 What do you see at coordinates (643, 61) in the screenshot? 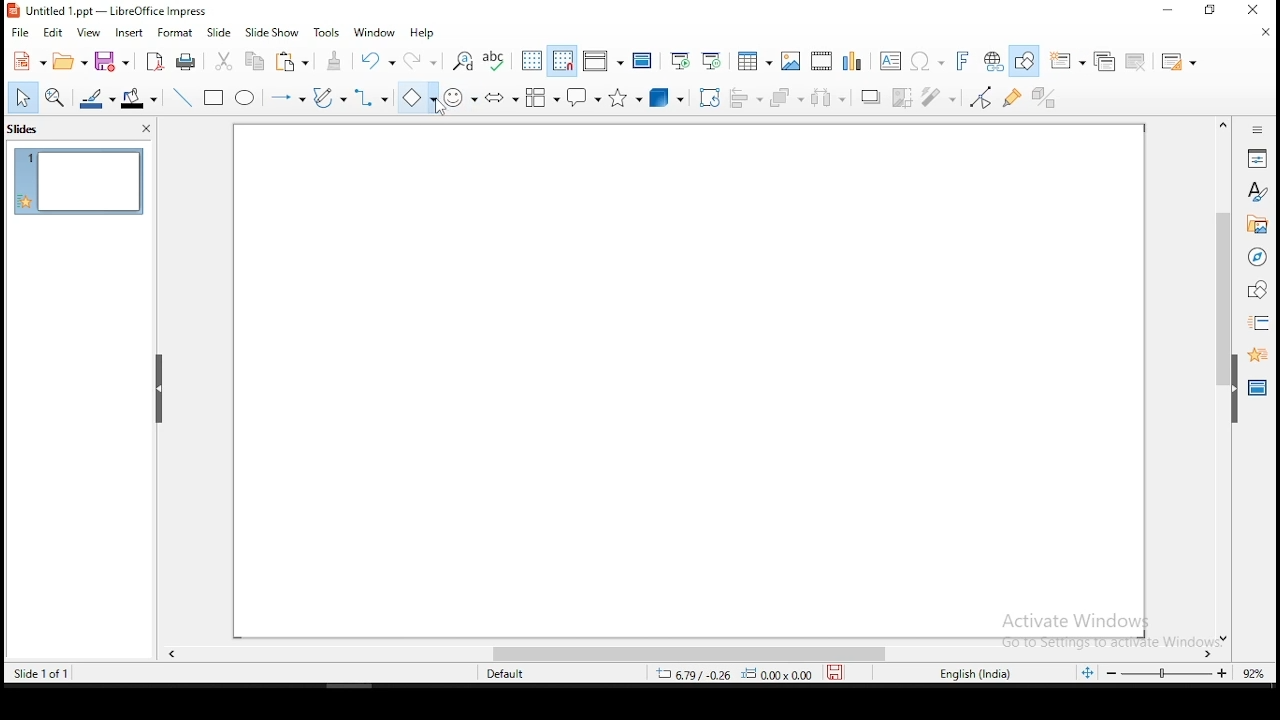
I see `master slide` at bounding box center [643, 61].